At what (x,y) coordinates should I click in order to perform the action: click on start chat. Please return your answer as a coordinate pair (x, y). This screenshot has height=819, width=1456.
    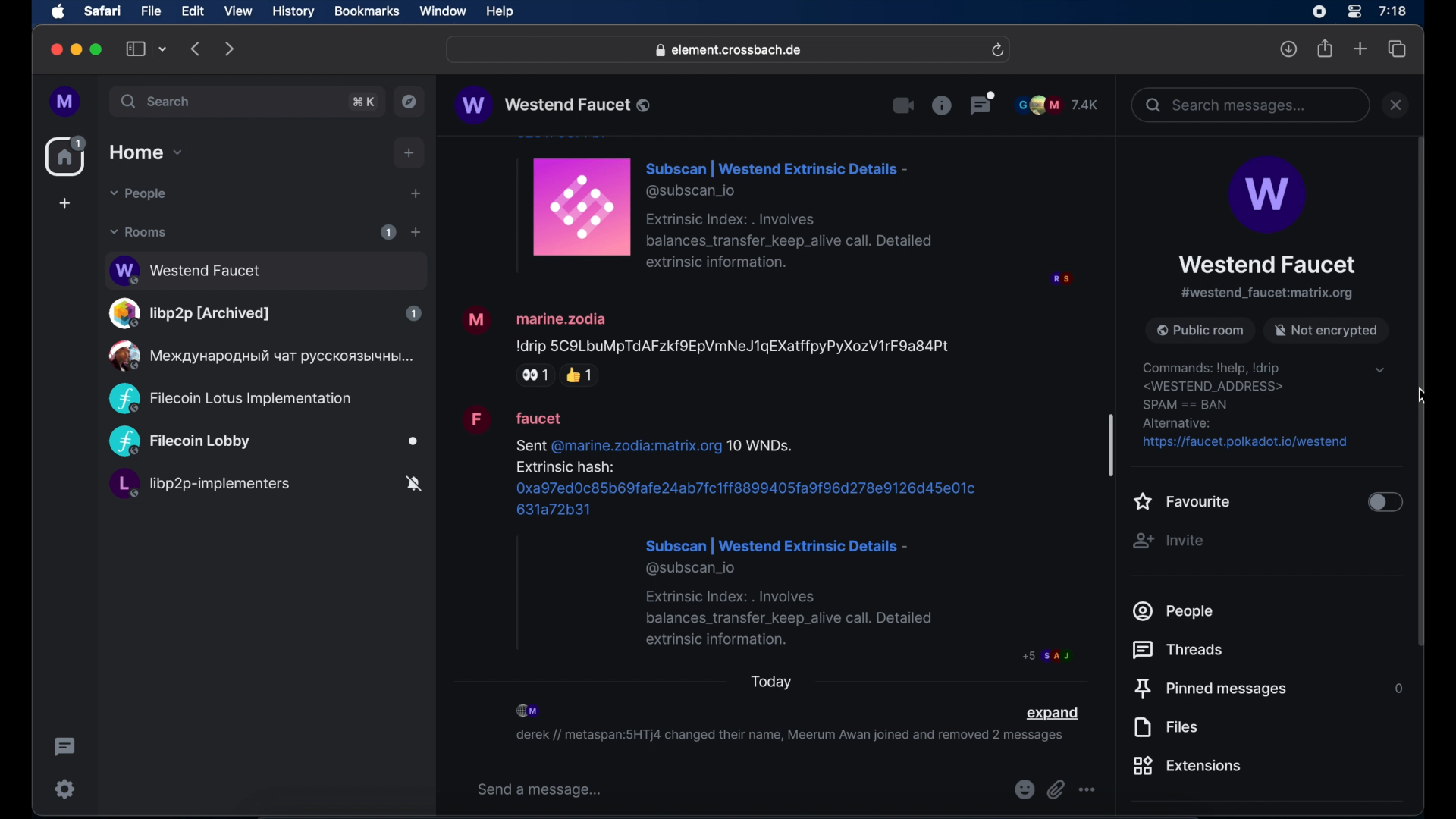
    Looking at the image, I should click on (415, 194).